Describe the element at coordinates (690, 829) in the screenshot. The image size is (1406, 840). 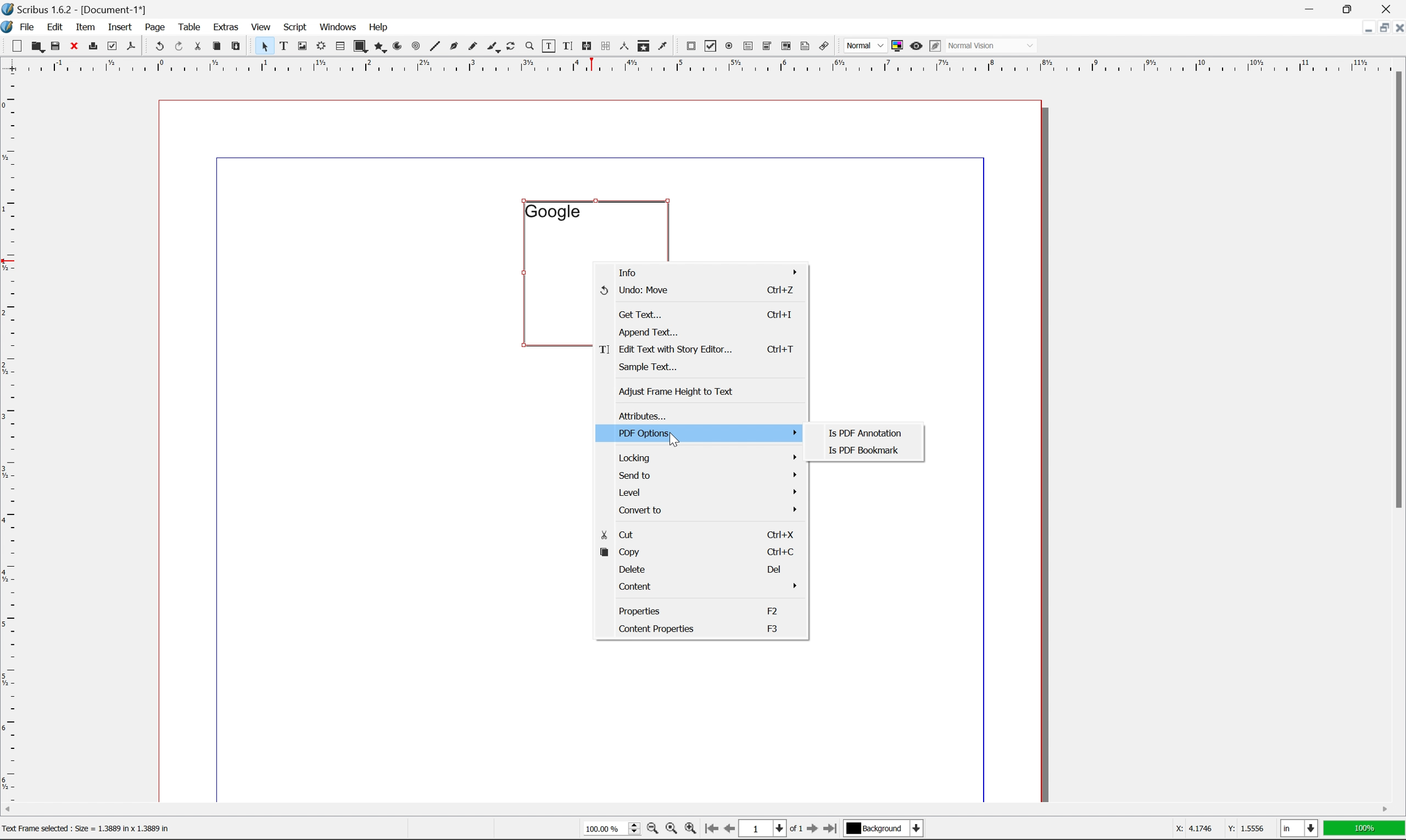
I see `zoom in` at that location.